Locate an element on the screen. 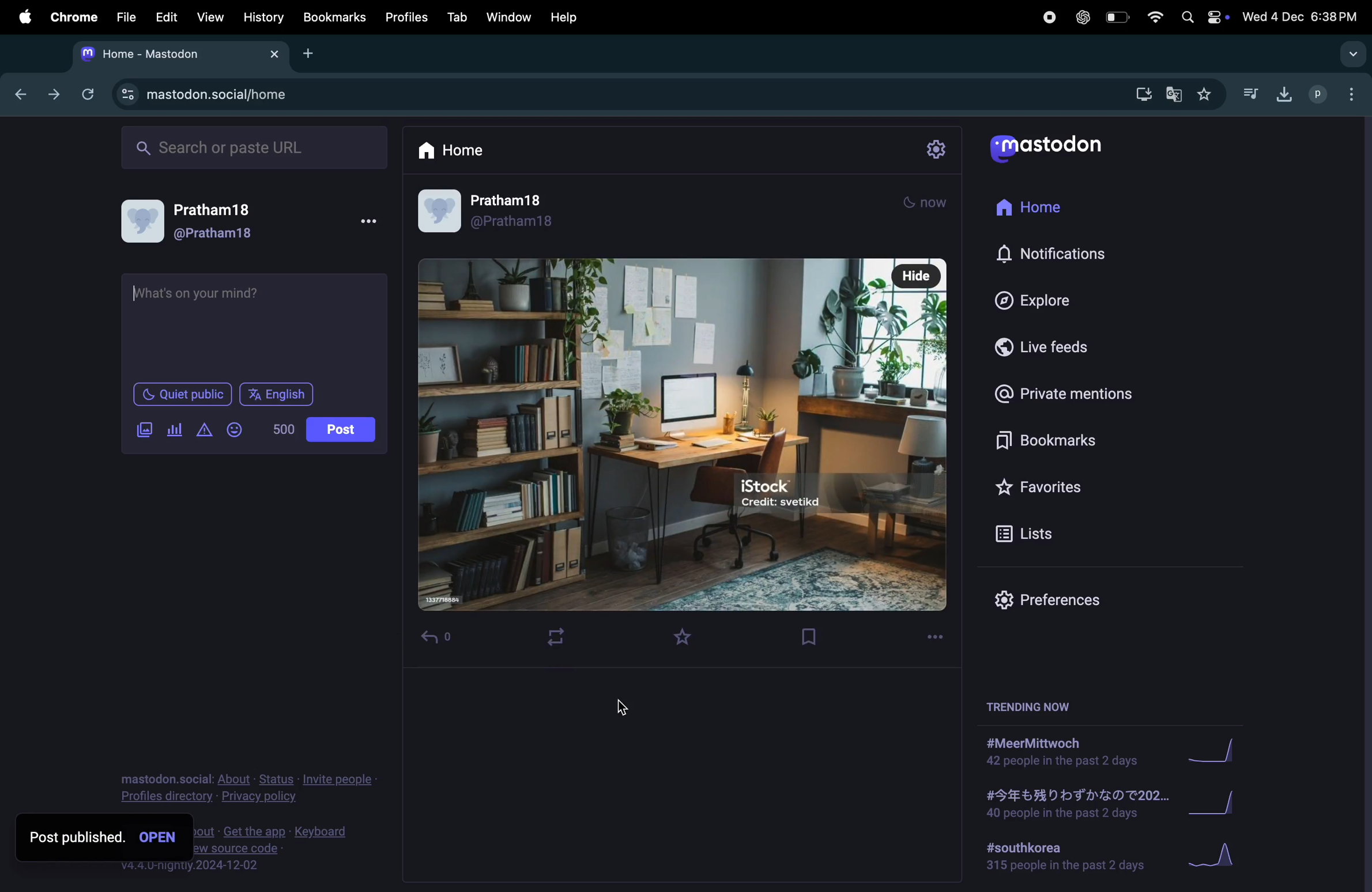  Graph is located at coordinates (1219, 749).